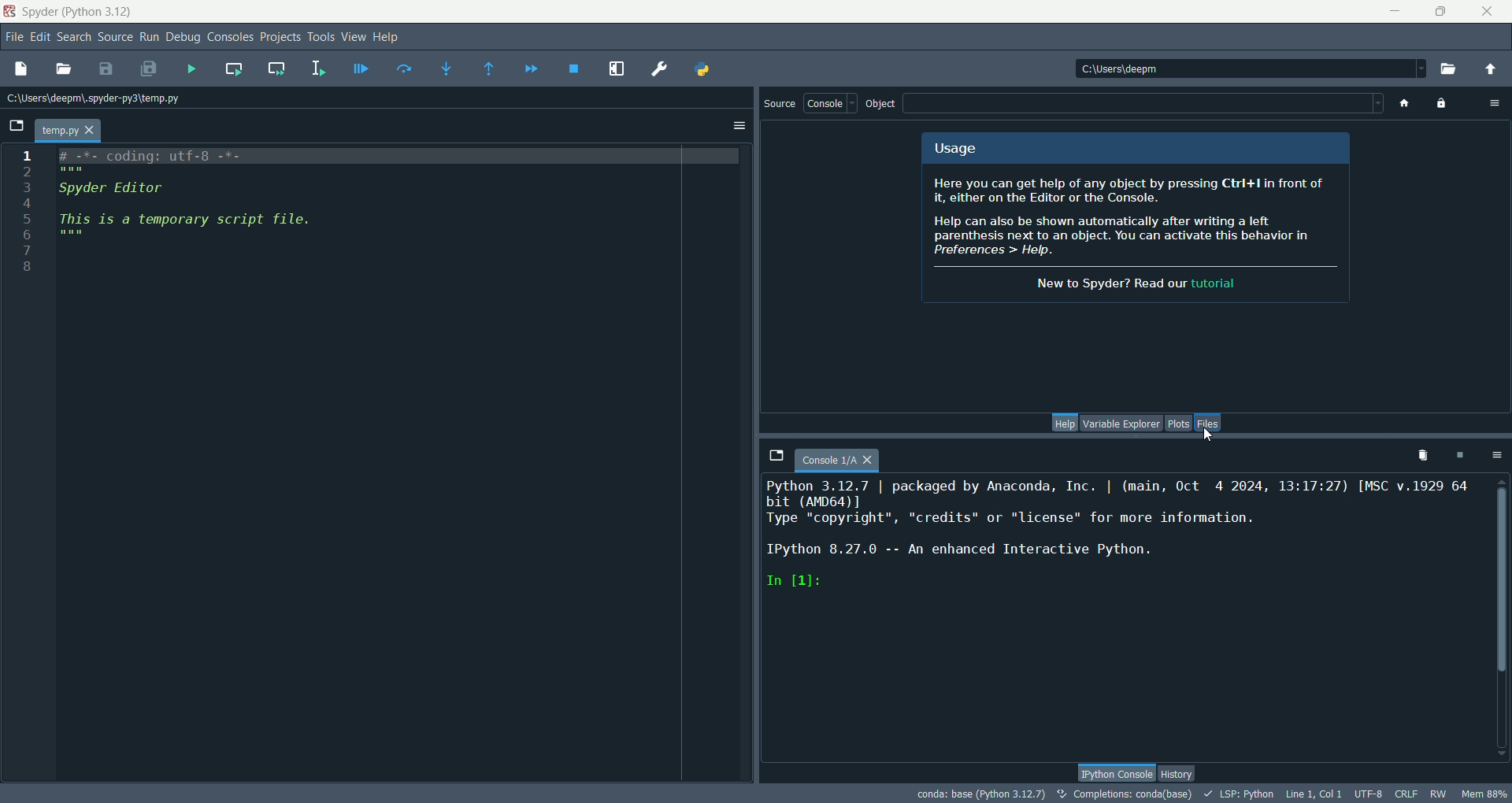 This screenshot has width=1512, height=803. What do you see at coordinates (830, 102) in the screenshot?
I see `console` at bounding box center [830, 102].